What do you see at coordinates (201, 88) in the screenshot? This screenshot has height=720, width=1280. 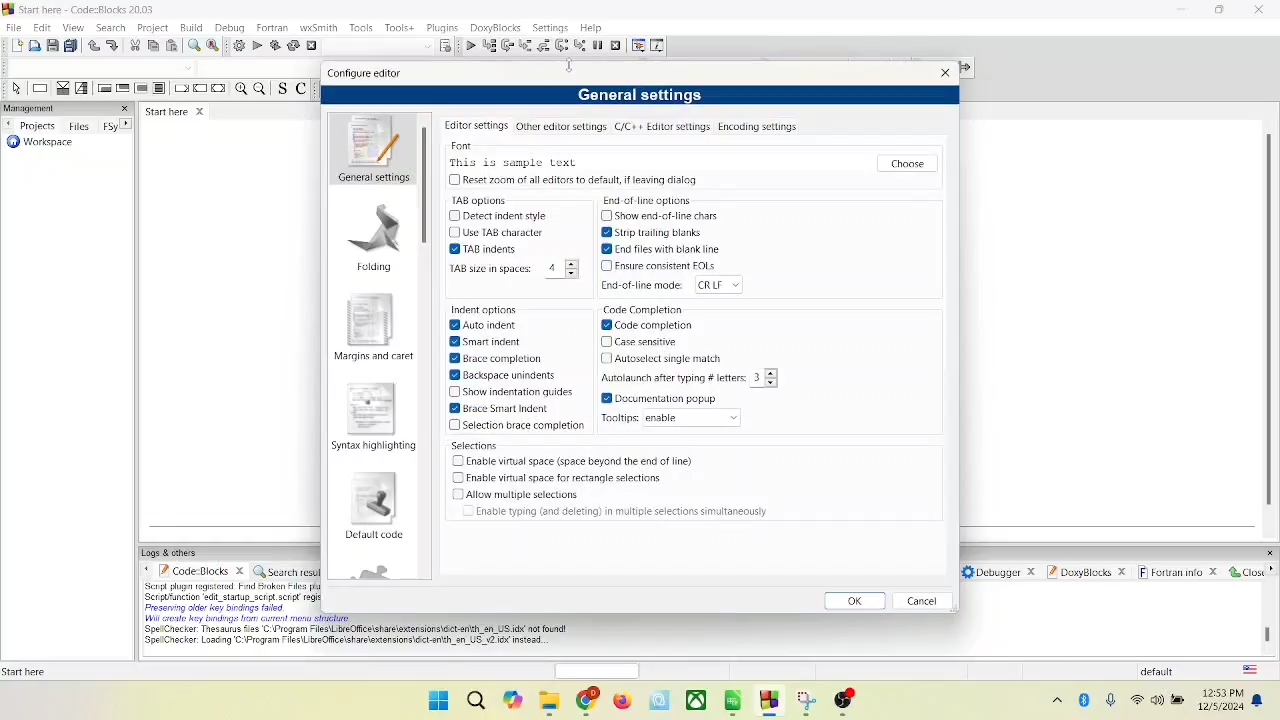 I see `continue instruction` at bounding box center [201, 88].